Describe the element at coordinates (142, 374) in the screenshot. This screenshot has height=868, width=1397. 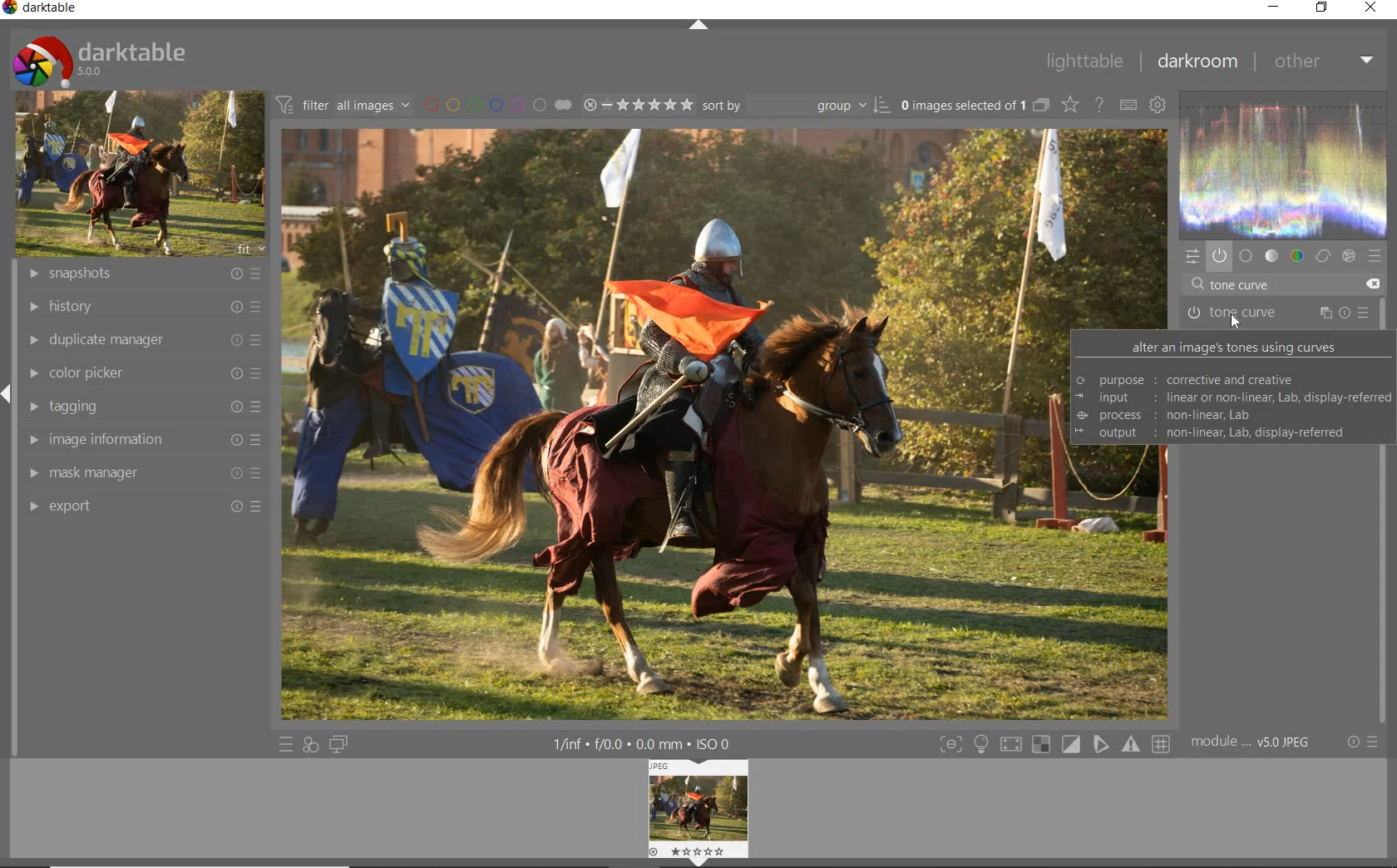
I see `color picker` at that location.